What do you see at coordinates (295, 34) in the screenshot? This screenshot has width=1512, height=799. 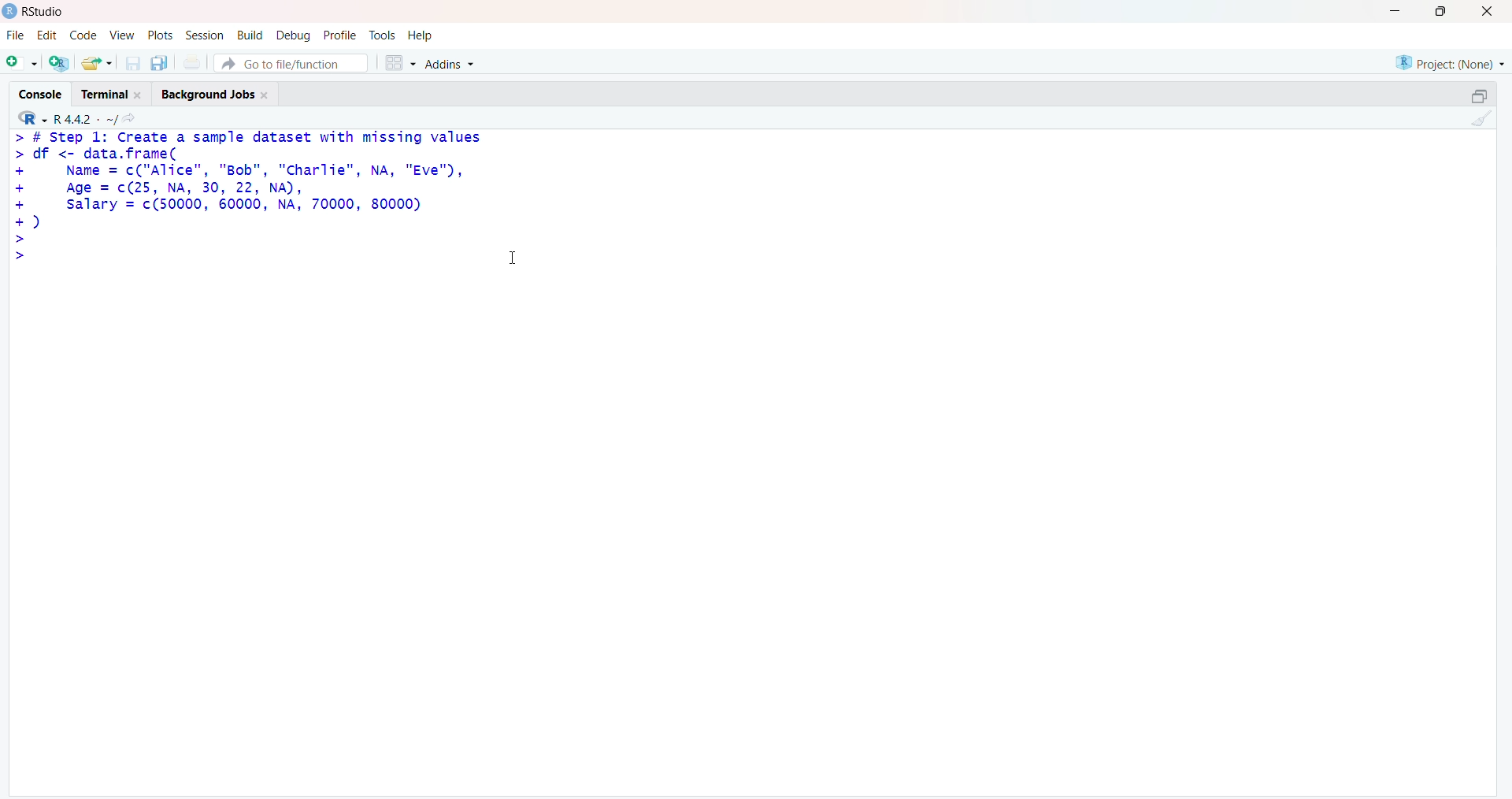 I see `Debug` at bounding box center [295, 34].